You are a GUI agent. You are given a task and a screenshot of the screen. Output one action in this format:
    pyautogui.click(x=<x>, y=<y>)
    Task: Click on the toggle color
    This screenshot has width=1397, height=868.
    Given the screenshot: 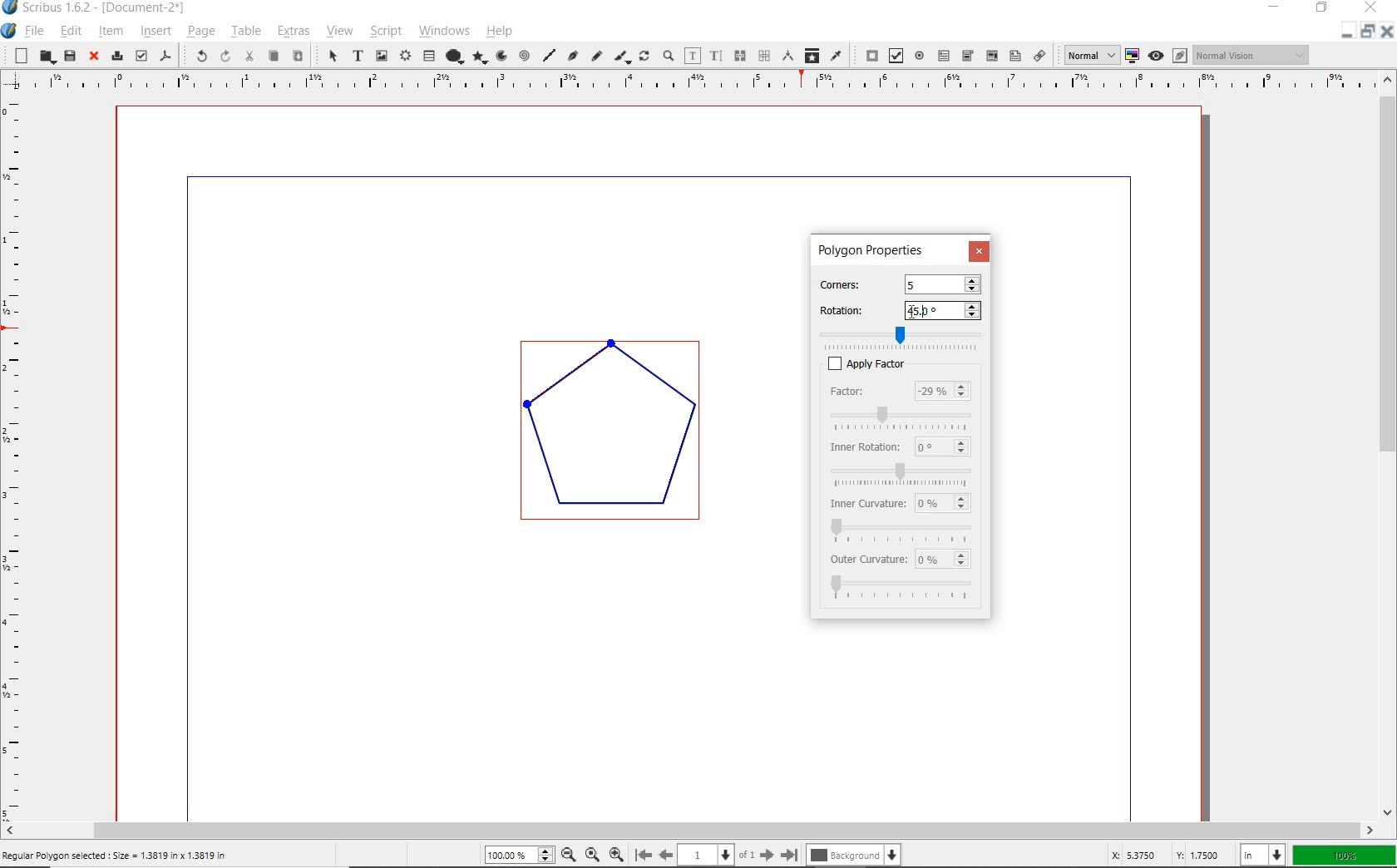 What is the action you would take?
    pyautogui.click(x=1133, y=55)
    